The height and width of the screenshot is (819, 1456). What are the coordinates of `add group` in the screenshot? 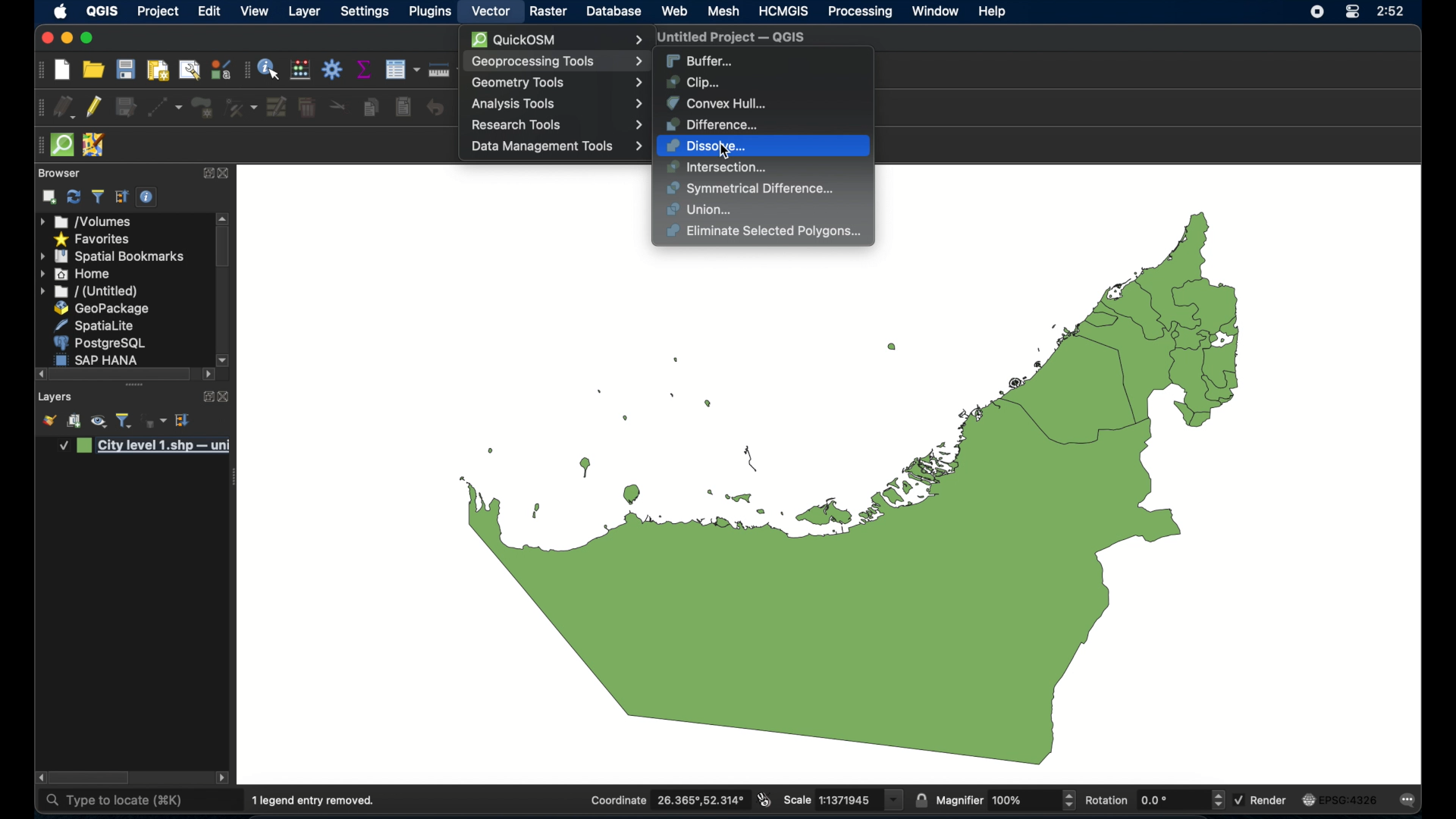 It's located at (74, 422).